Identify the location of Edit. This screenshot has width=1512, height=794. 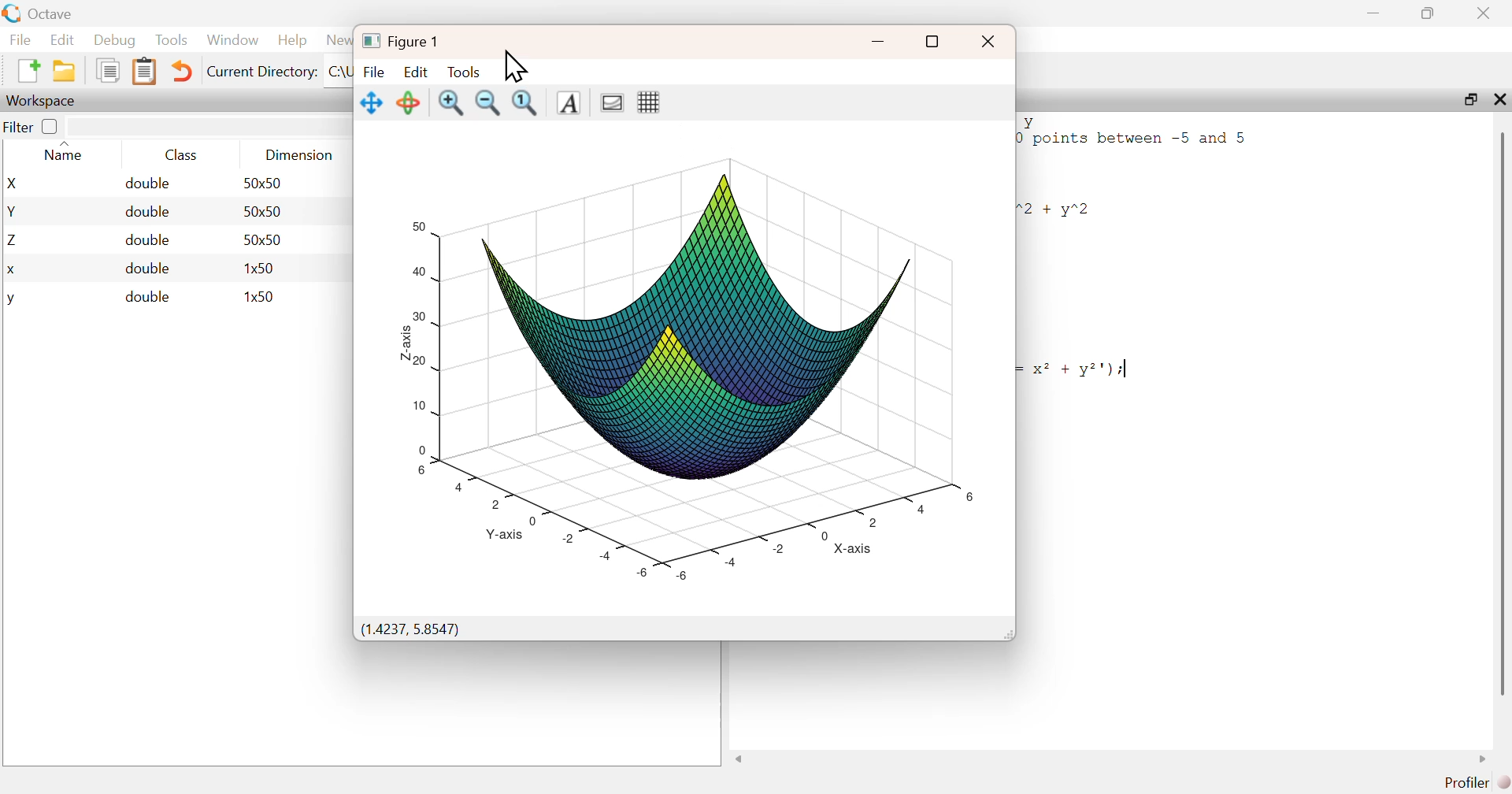
(416, 72).